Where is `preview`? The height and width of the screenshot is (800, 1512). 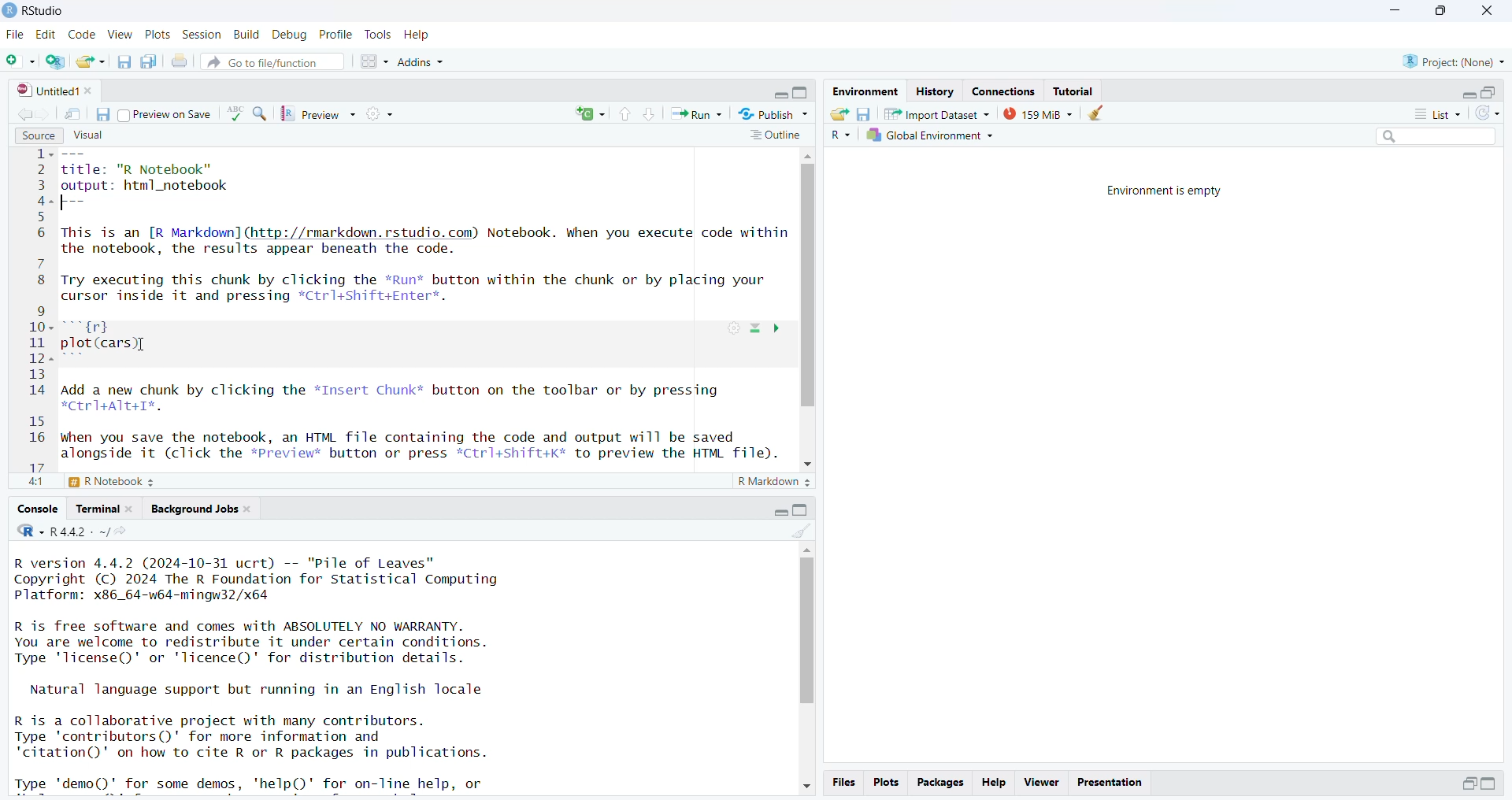
preview is located at coordinates (322, 114).